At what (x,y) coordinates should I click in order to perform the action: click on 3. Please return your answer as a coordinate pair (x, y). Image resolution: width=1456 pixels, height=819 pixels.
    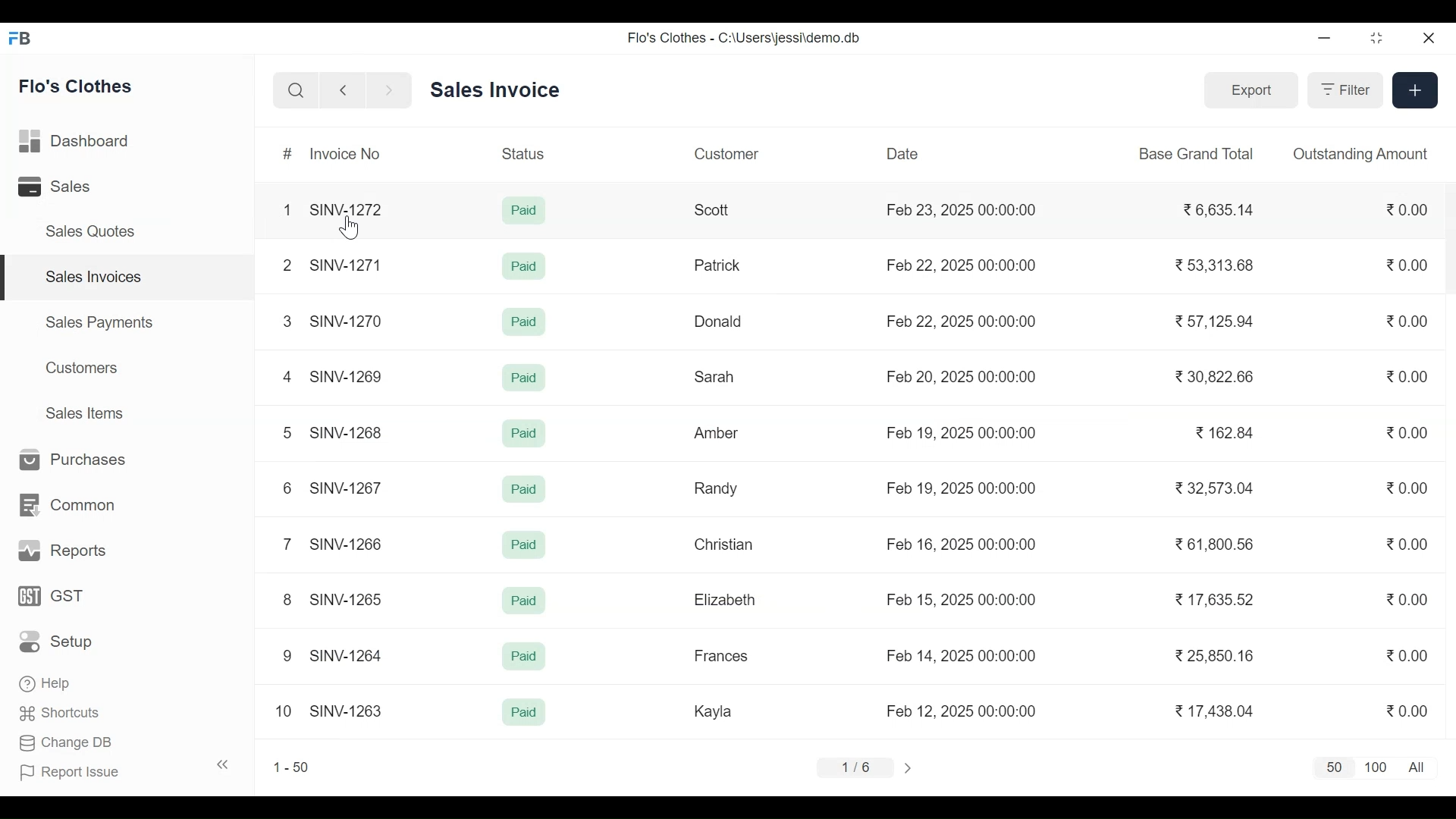
    Looking at the image, I should click on (287, 321).